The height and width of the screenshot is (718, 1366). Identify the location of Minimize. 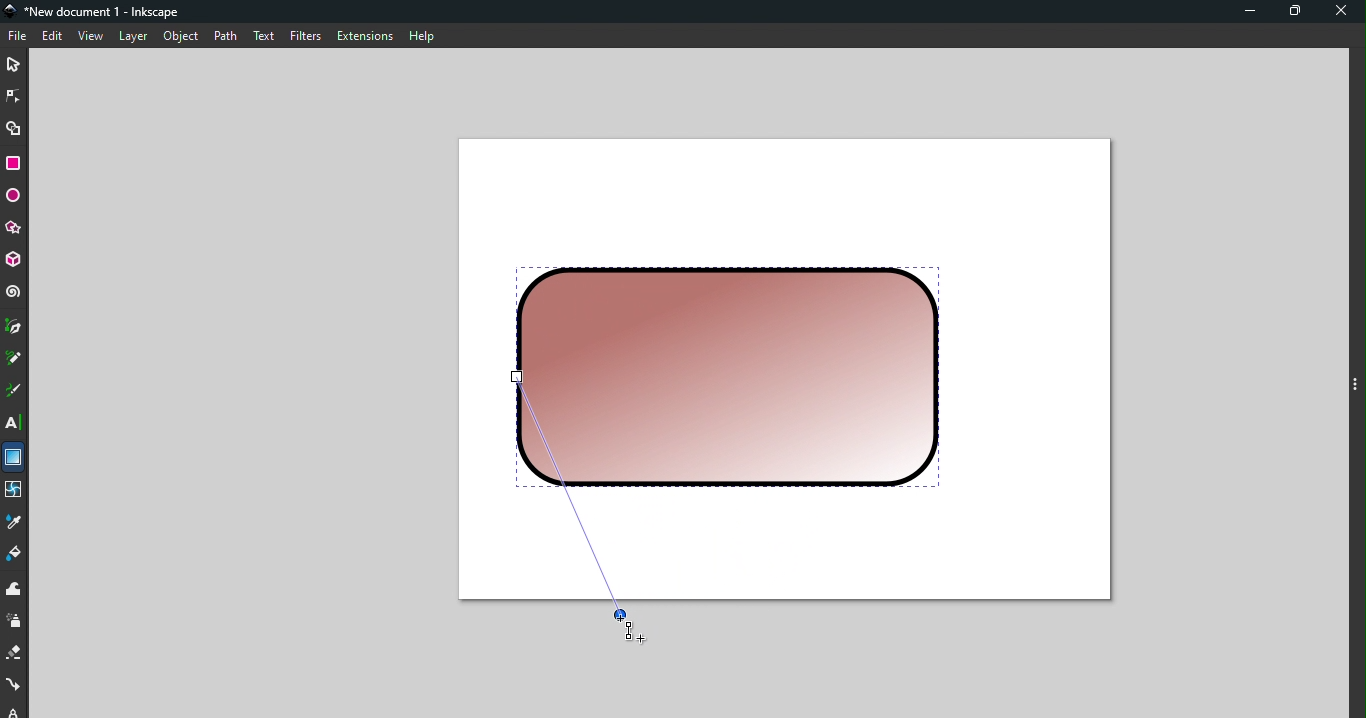
(1245, 13).